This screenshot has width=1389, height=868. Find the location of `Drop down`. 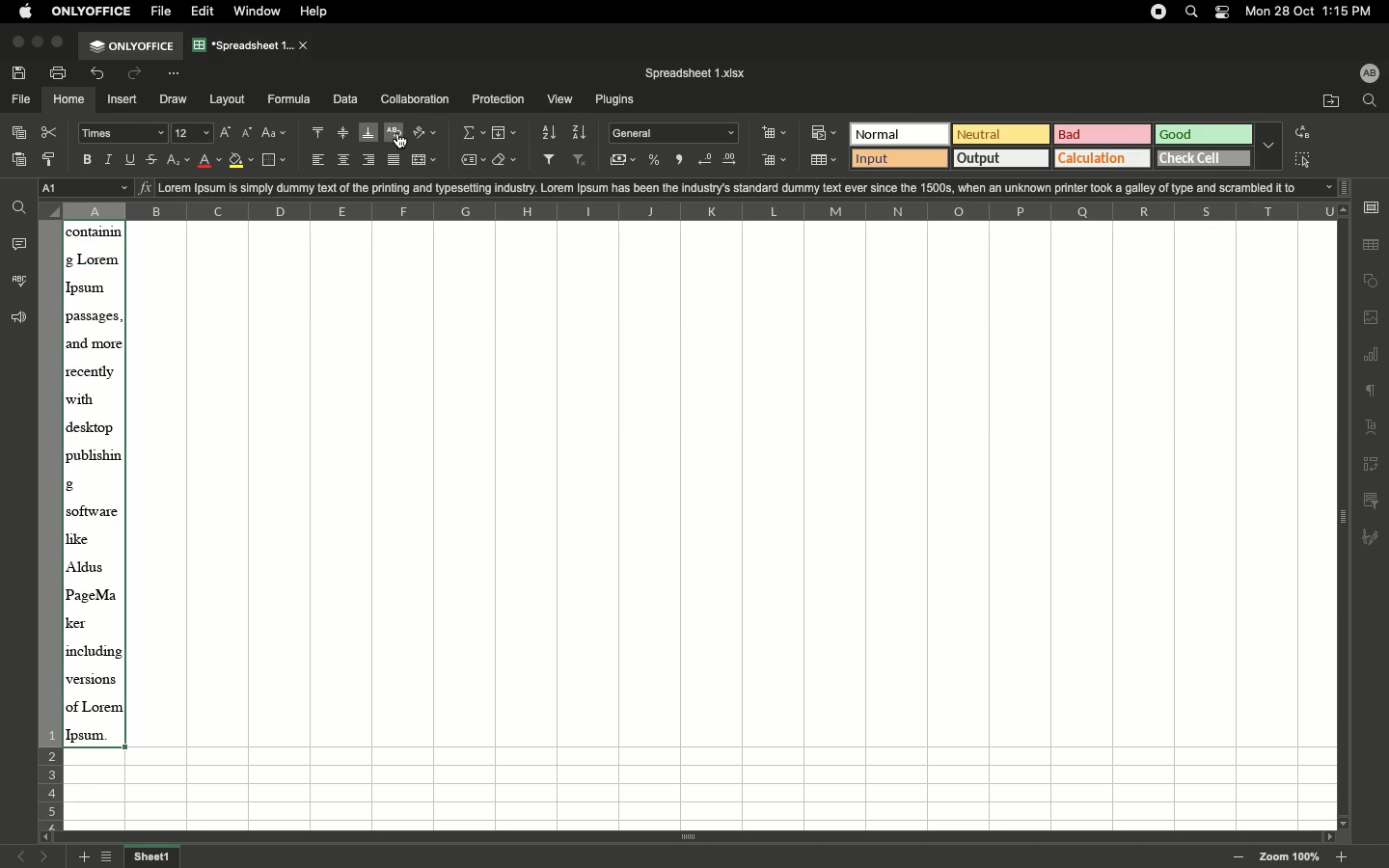

Drop down is located at coordinates (1269, 145).